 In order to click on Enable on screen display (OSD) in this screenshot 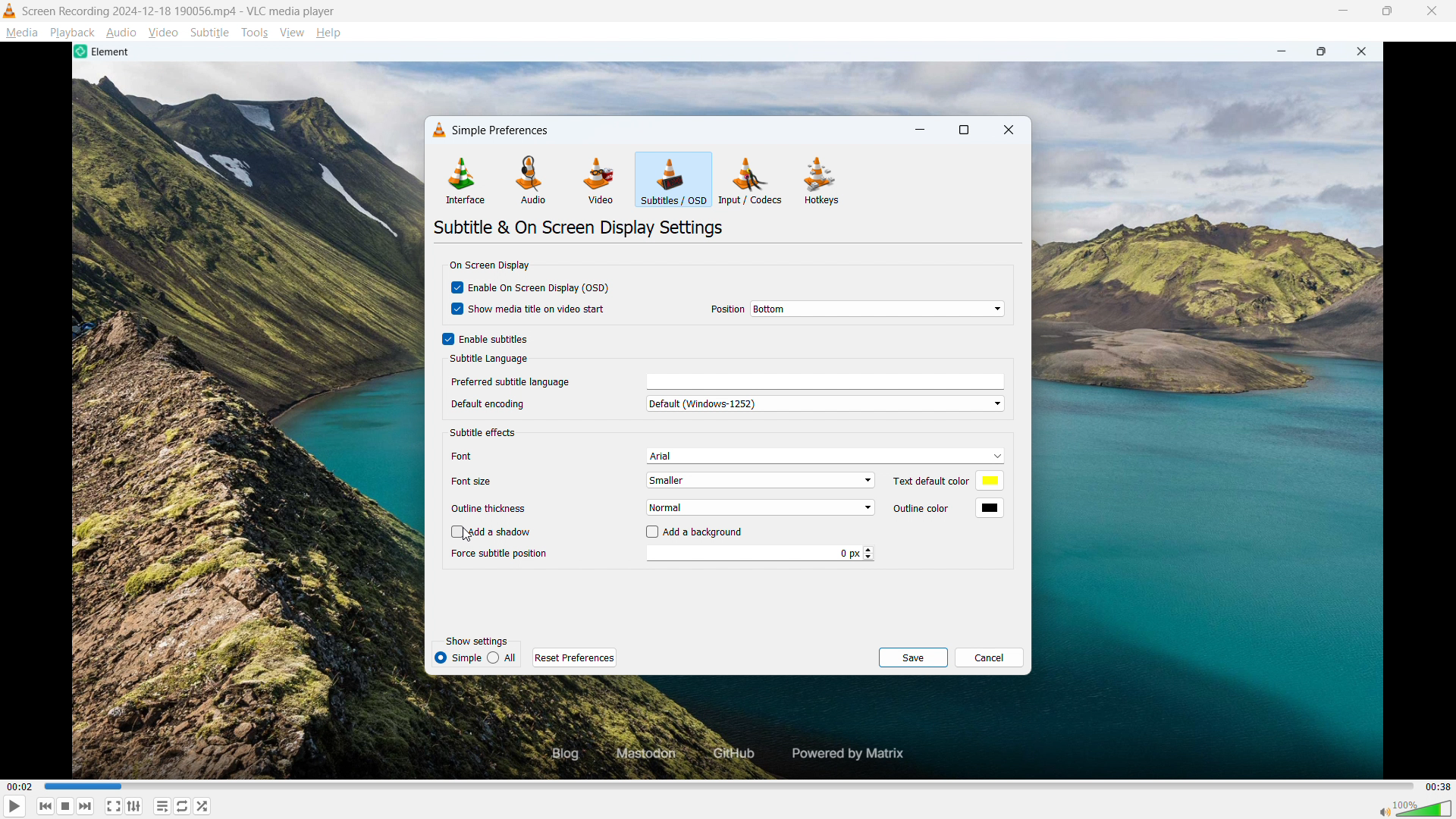, I will do `click(539, 287)`.